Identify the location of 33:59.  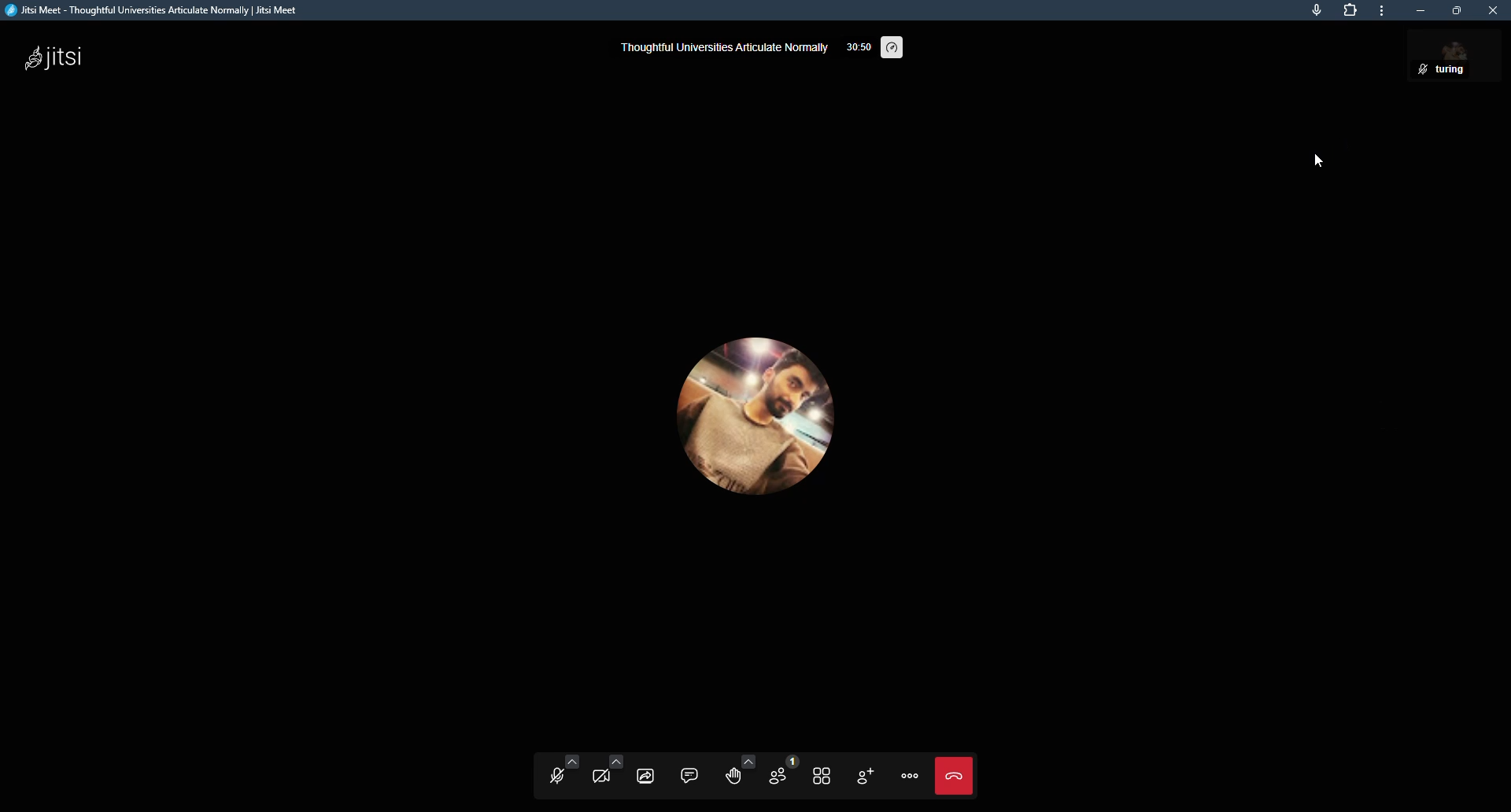
(853, 50).